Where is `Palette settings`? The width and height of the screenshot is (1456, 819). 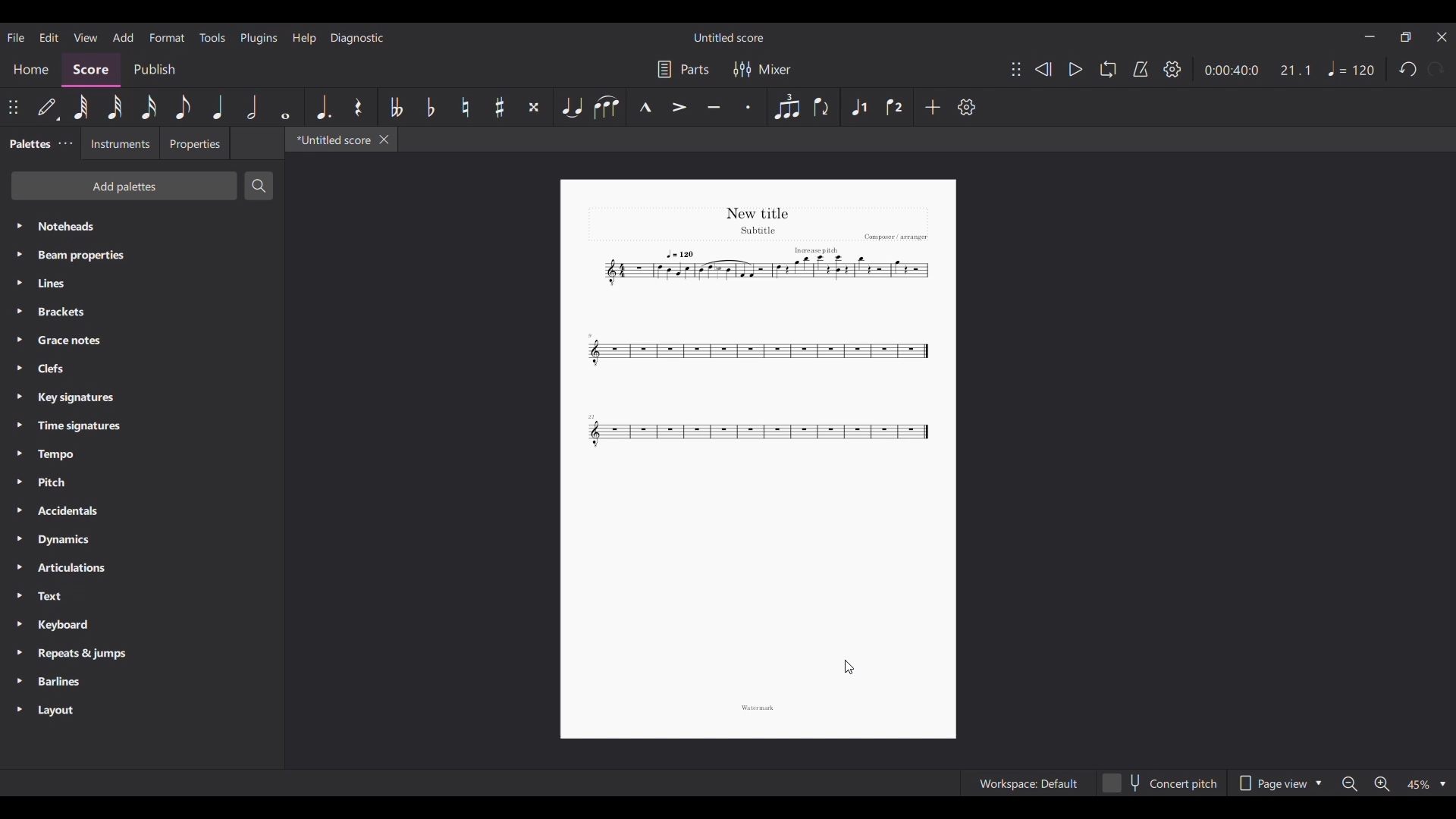 Palette settings is located at coordinates (66, 143).